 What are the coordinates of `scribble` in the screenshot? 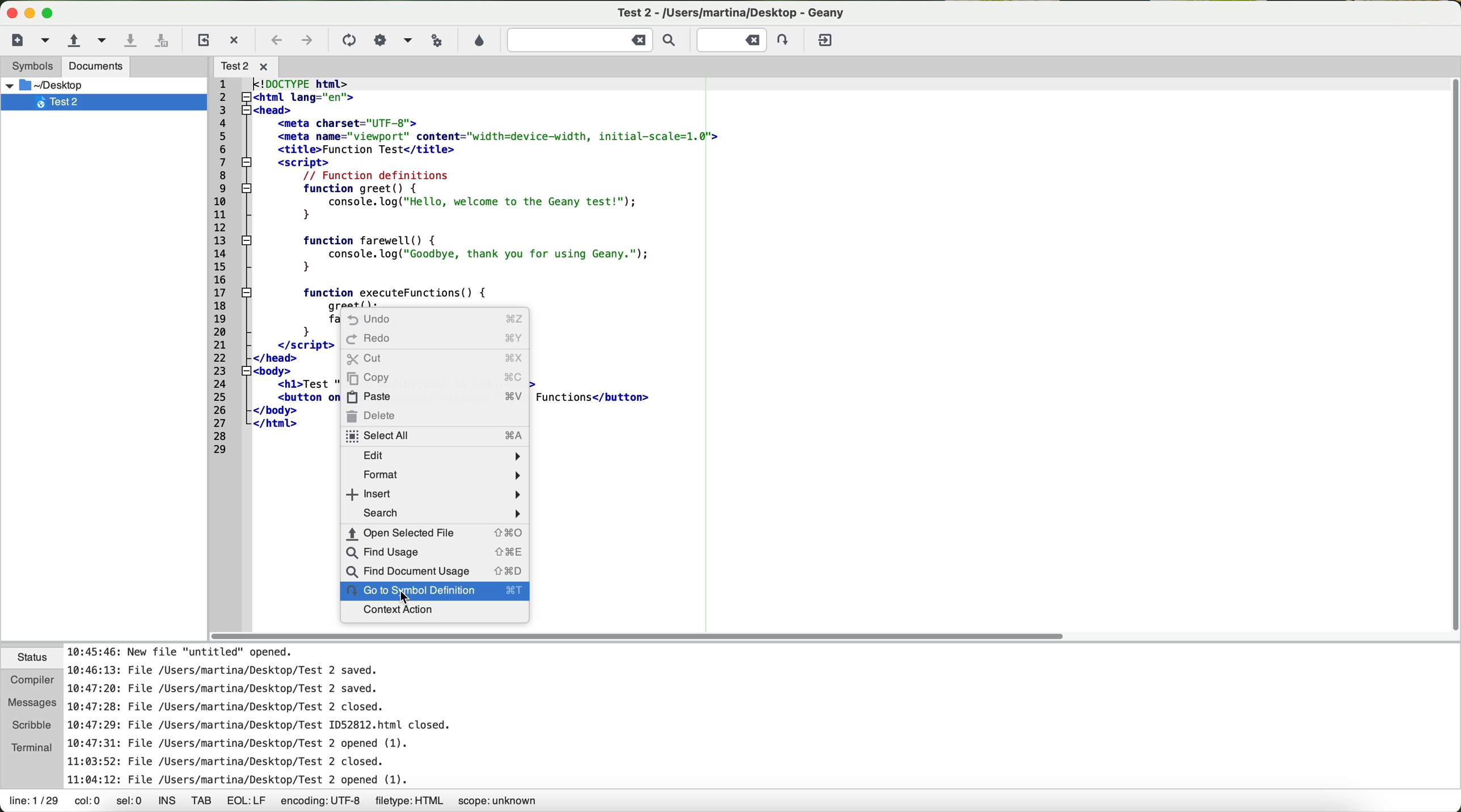 It's located at (29, 725).